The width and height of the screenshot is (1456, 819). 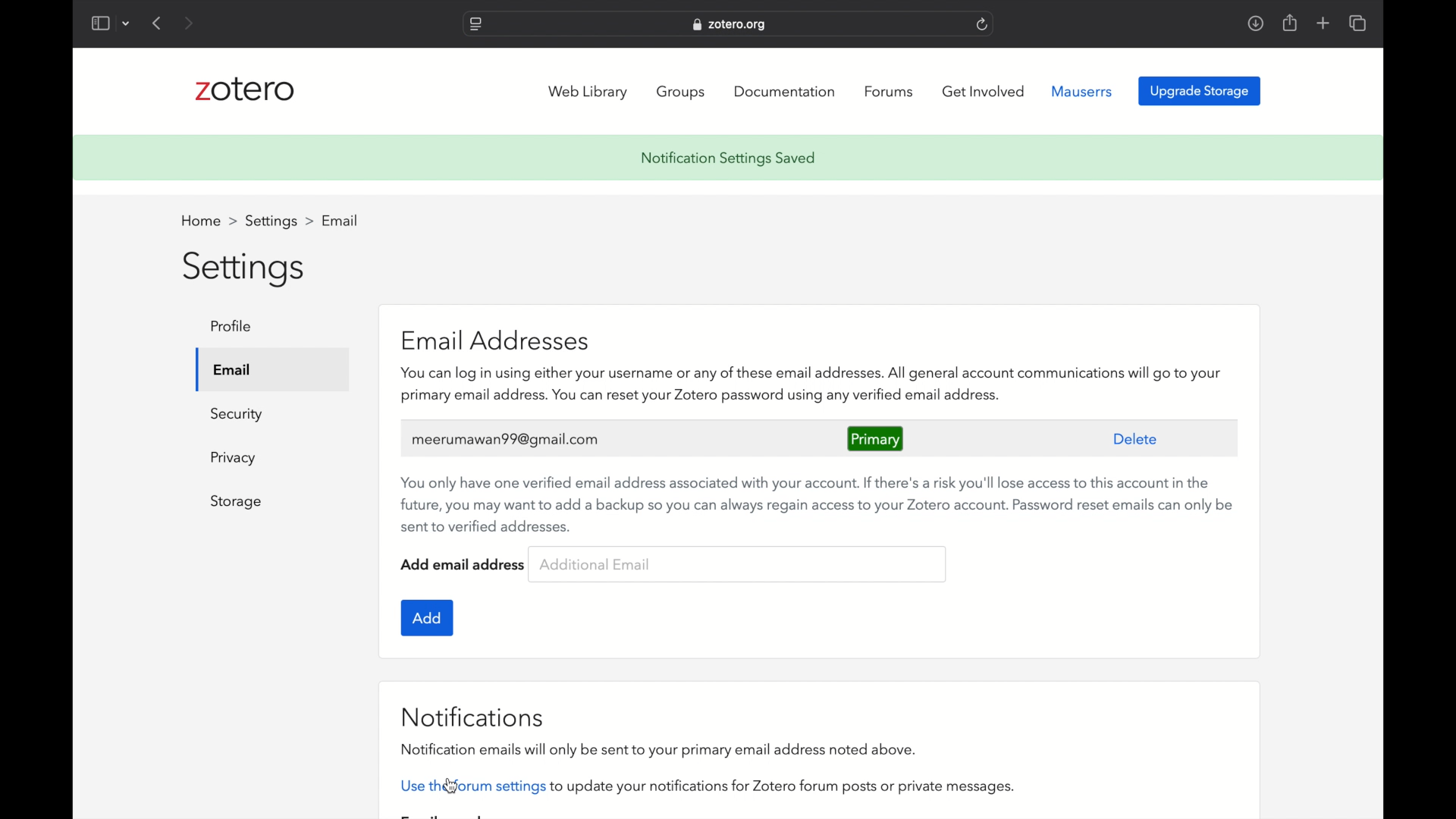 I want to click on website settings, so click(x=475, y=24).